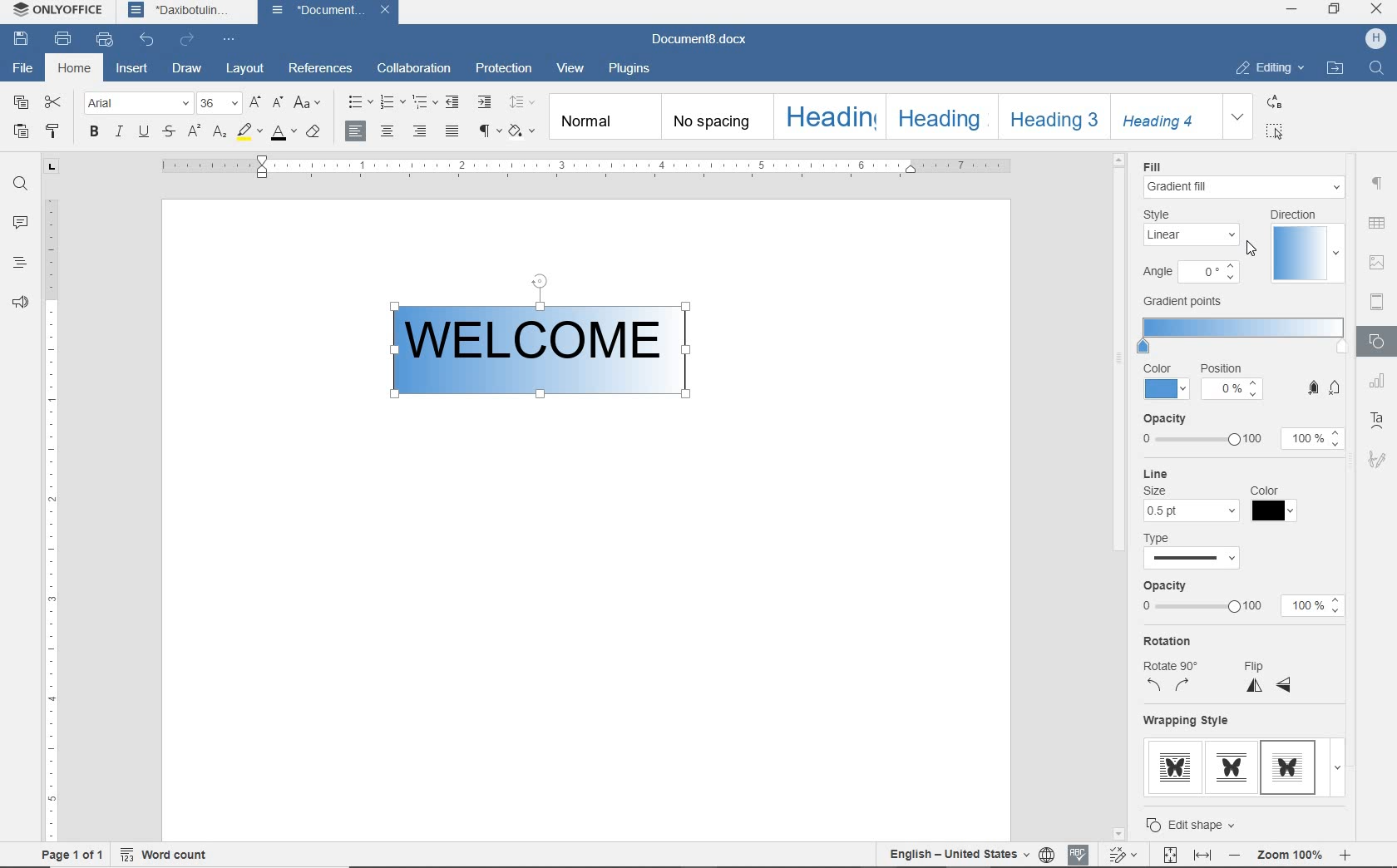 This screenshot has height=868, width=1397. I want to click on BOLD, so click(94, 131).